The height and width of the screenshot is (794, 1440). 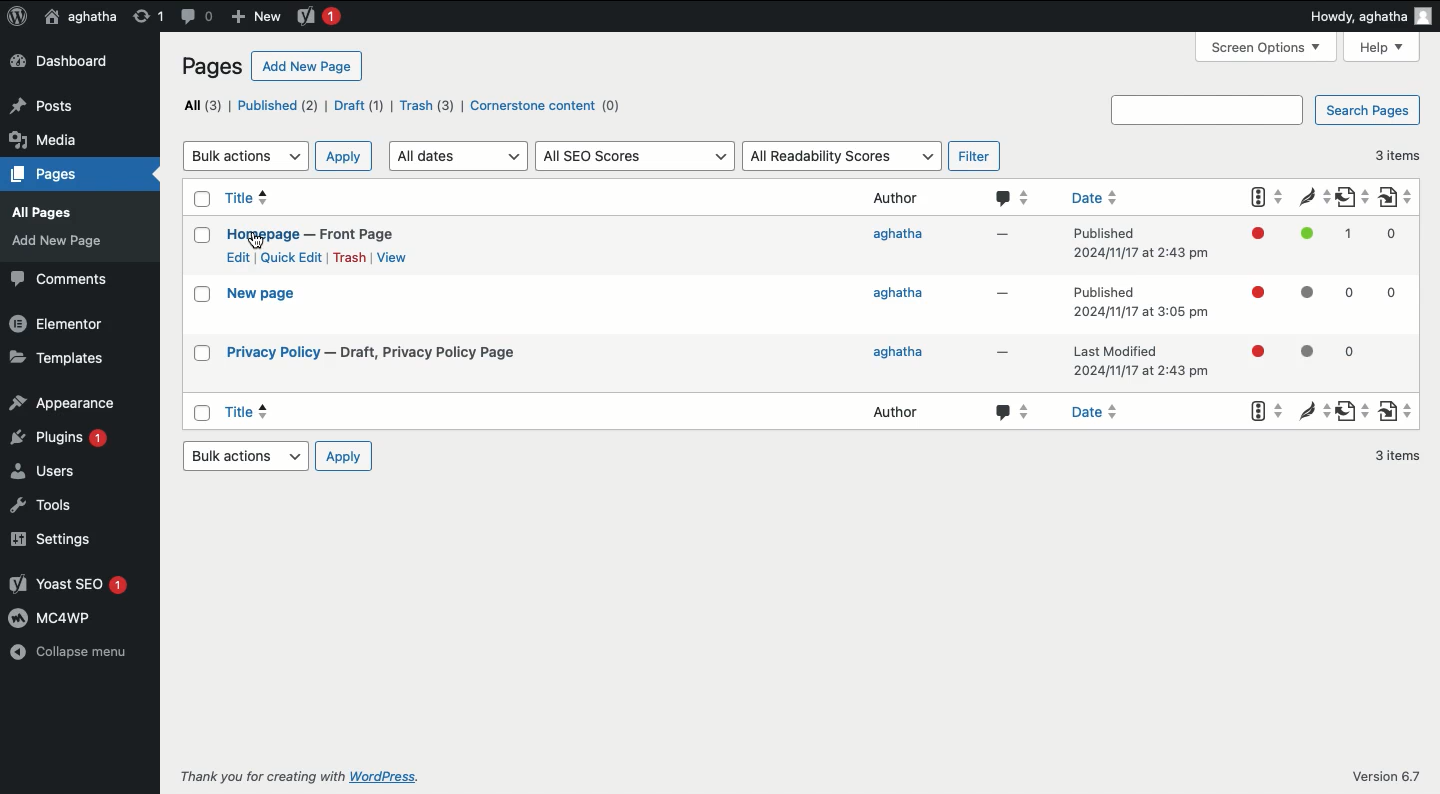 I want to click on All SEO scores, so click(x=634, y=156).